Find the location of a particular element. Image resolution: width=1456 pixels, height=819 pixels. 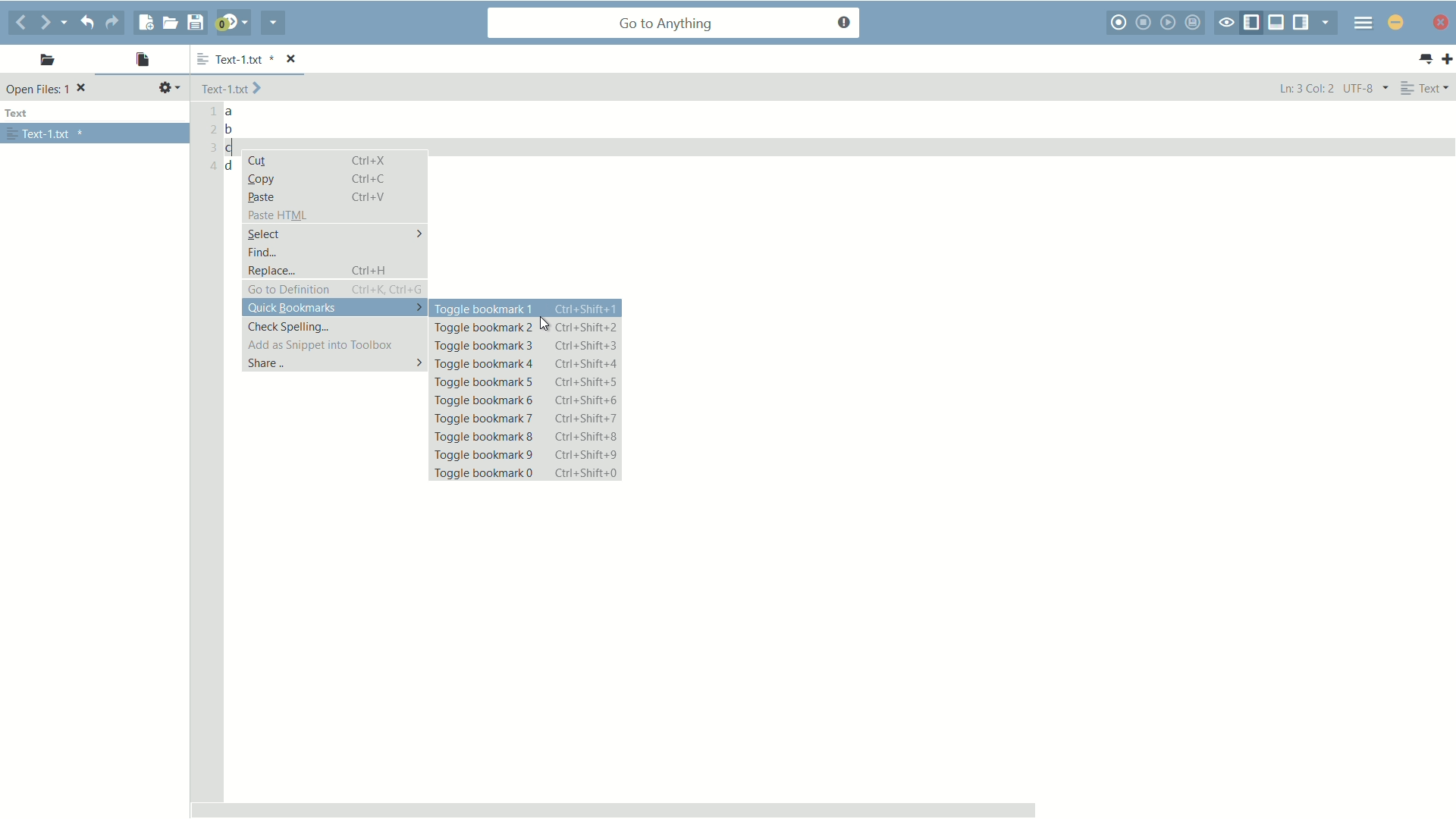

quick bookmarks is located at coordinates (334, 308).